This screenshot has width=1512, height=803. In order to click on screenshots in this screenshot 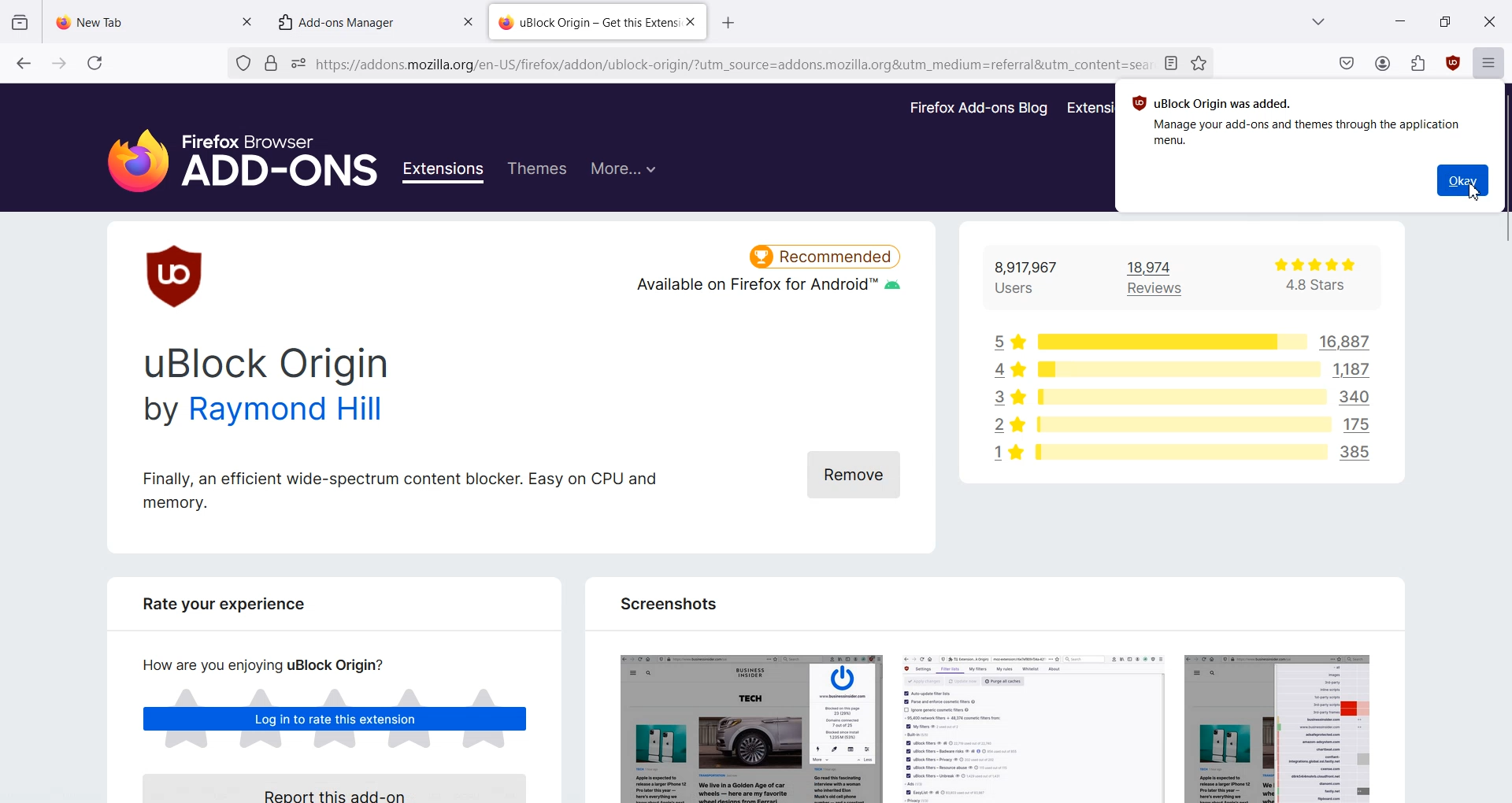, I will do `click(992, 722)`.